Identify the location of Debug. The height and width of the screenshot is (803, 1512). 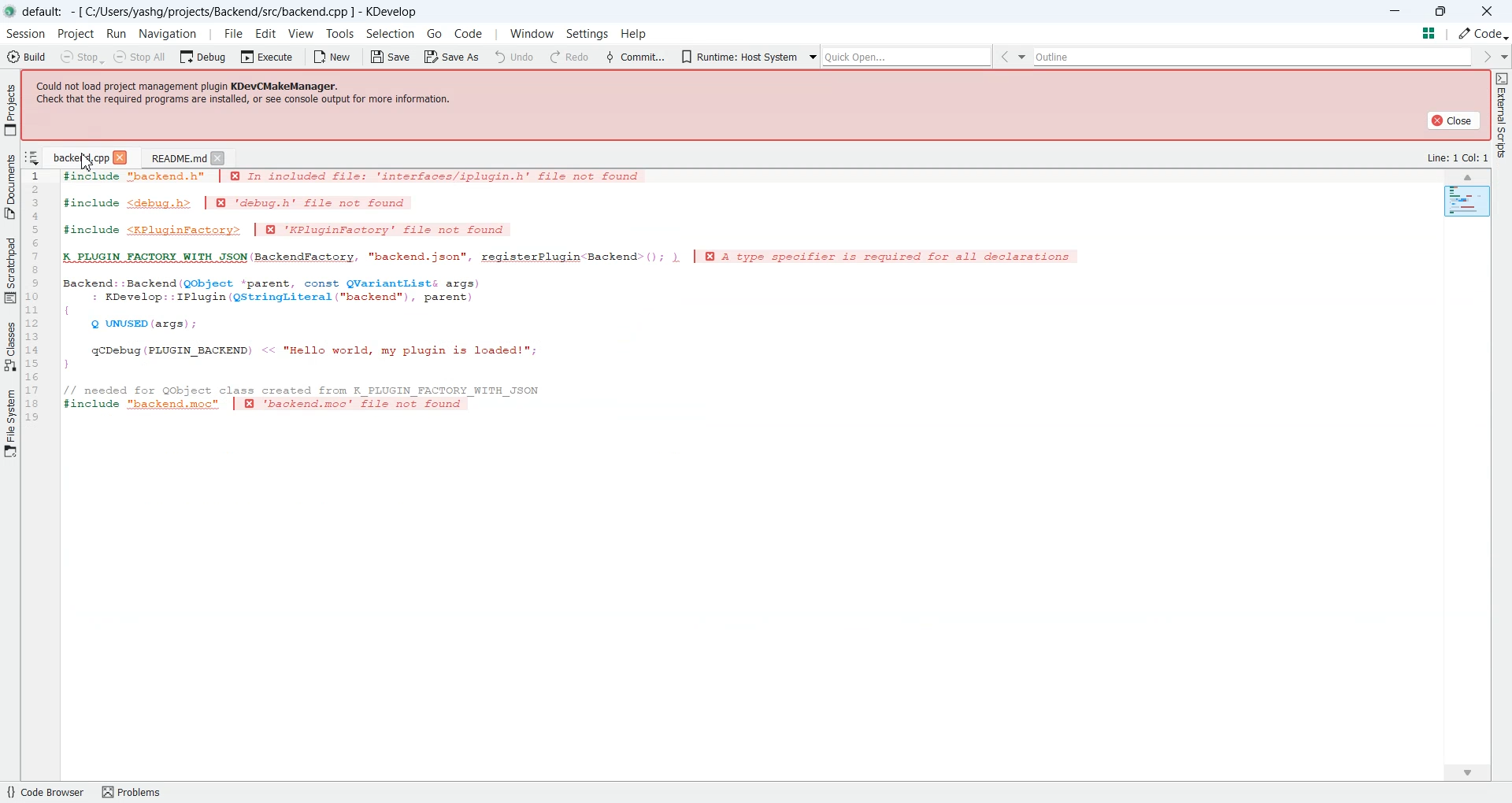
(205, 56).